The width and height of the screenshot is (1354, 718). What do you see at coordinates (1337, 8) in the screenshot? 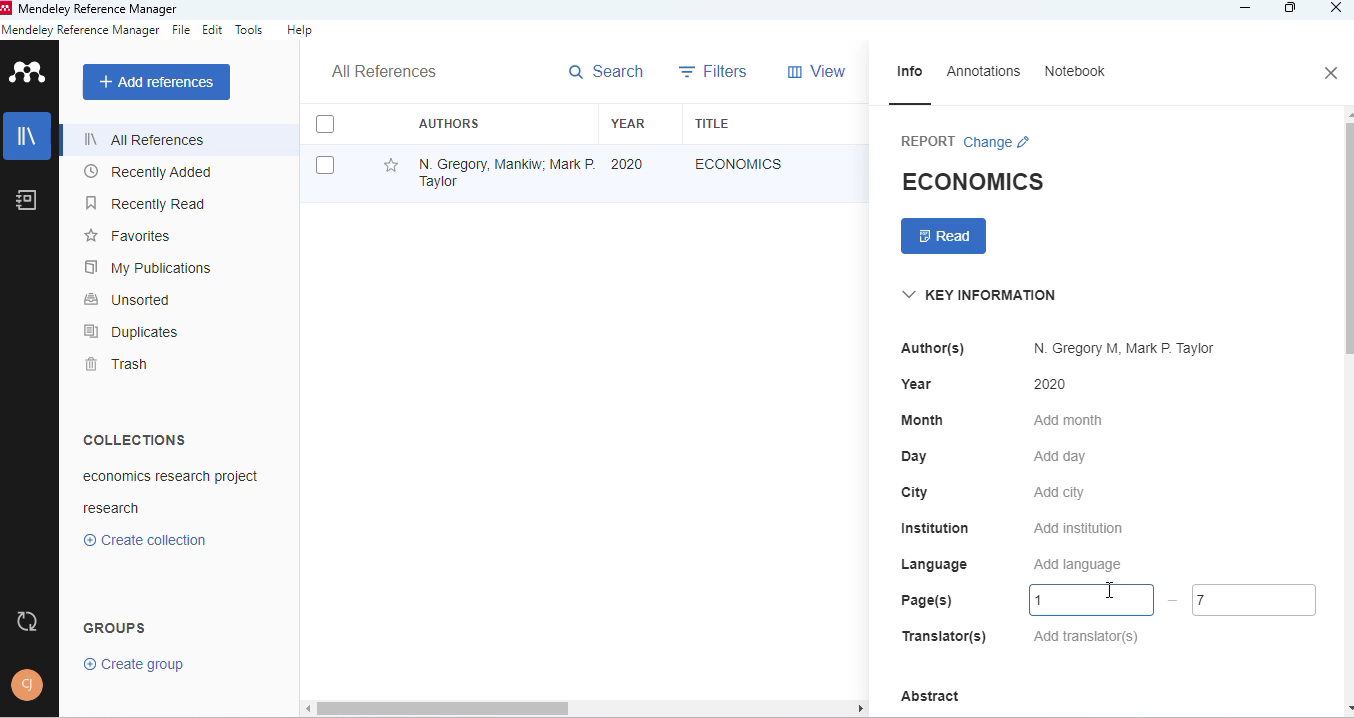
I see `close` at bounding box center [1337, 8].